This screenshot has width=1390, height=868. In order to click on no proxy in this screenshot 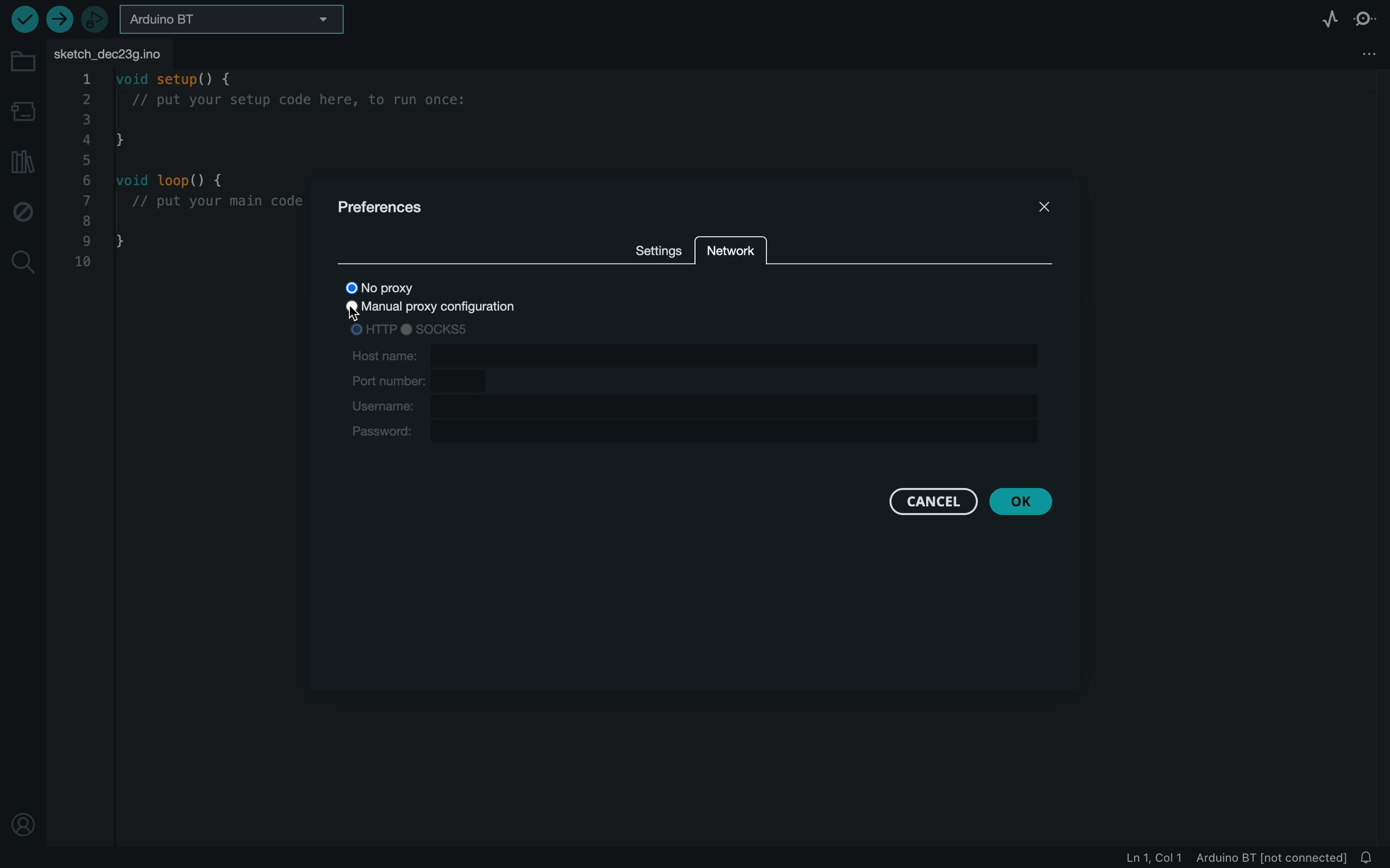, I will do `click(402, 288)`.